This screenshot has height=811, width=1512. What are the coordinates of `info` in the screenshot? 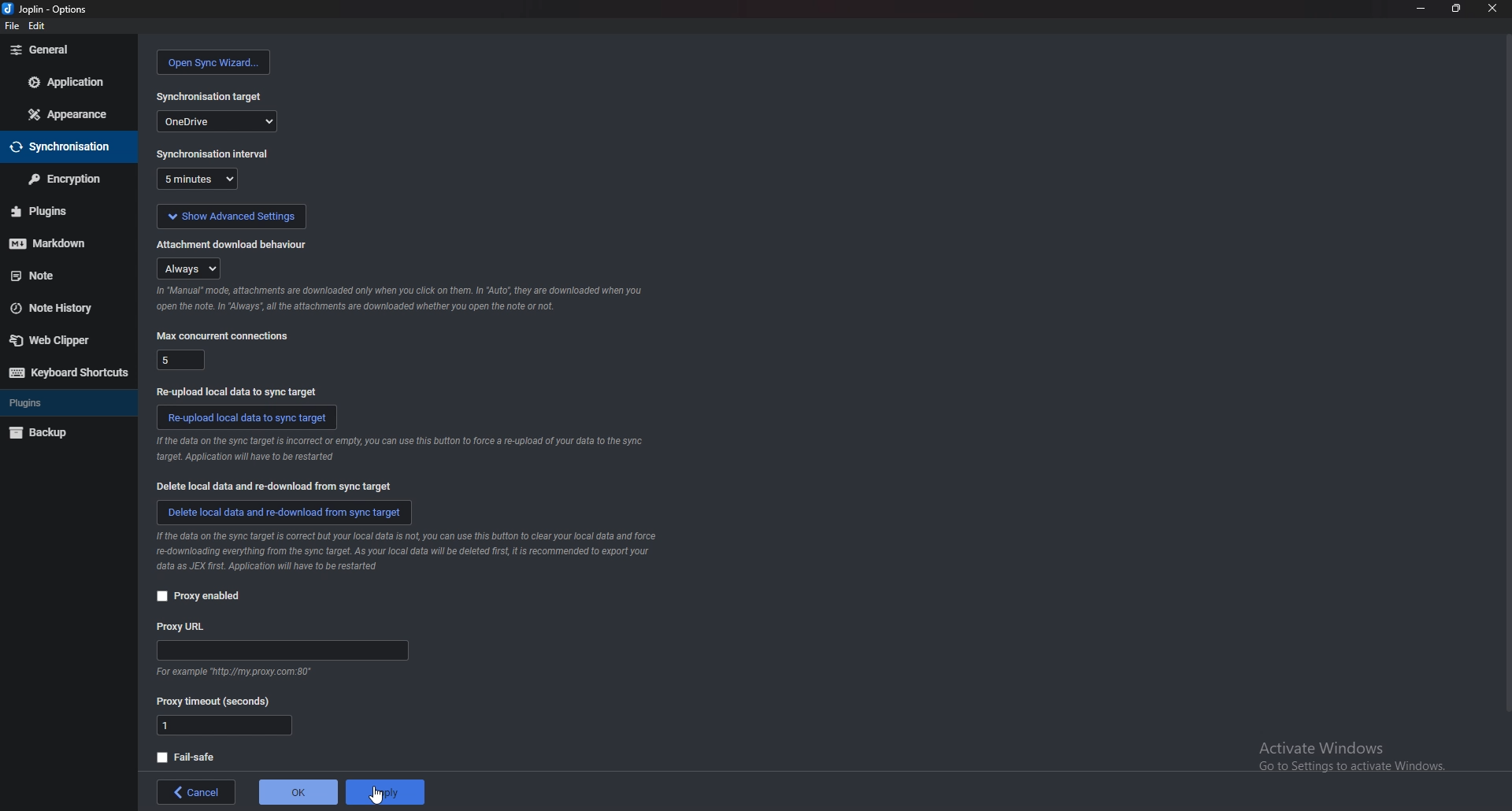 It's located at (398, 298).